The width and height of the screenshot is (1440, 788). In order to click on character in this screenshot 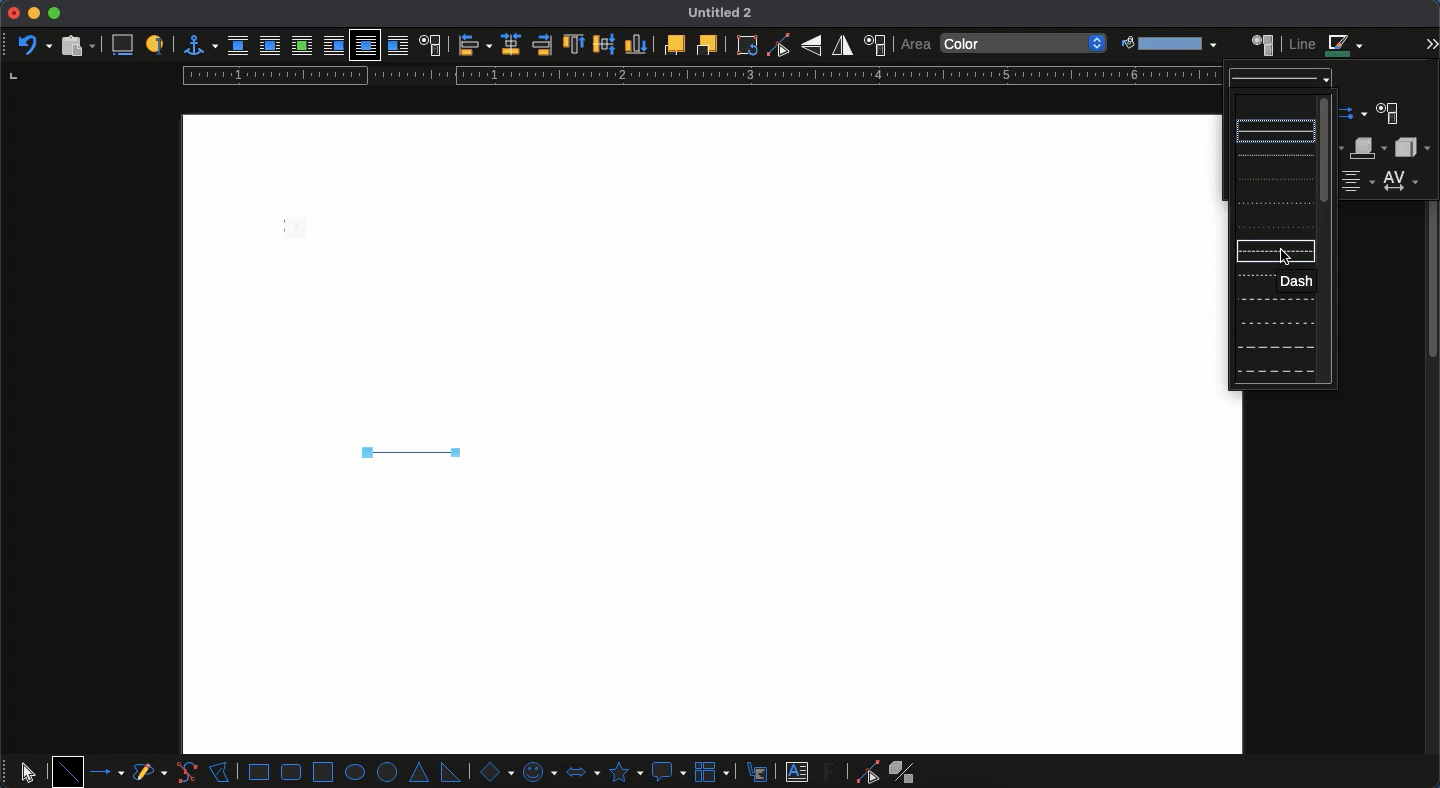, I will do `click(1387, 115)`.